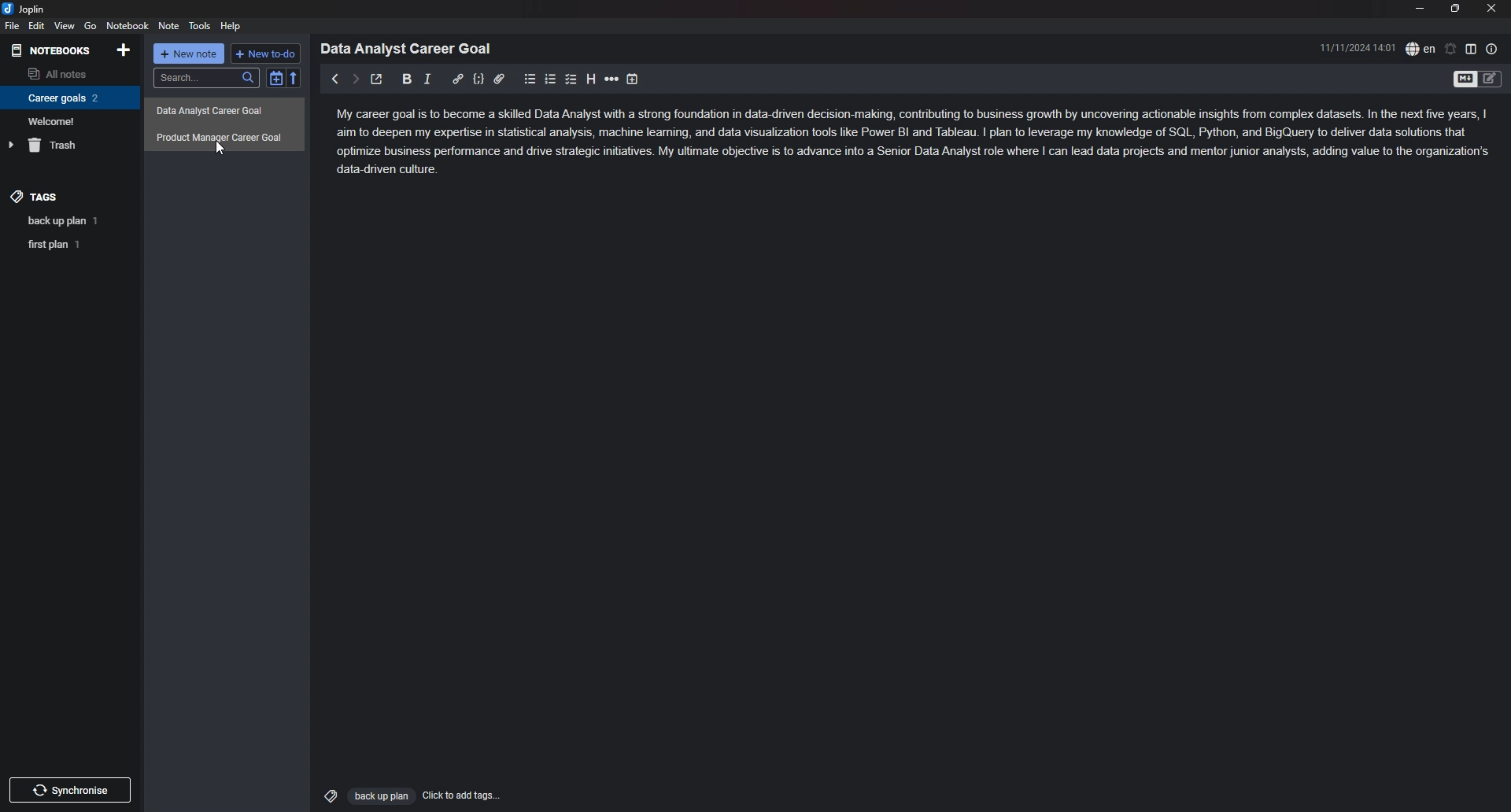 The width and height of the screenshot is (1511, 812). I want to click on toggle external editor, so click(378, 79).